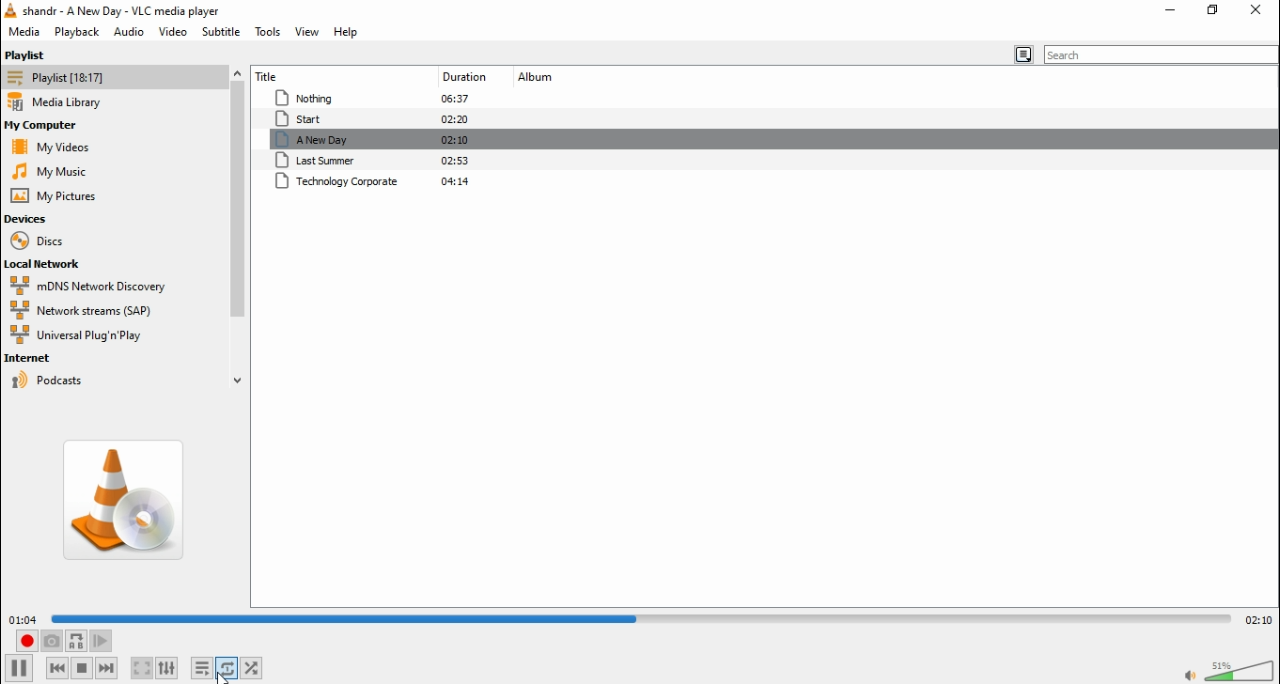 The image size is (1280, 684). Describe the element at coordinates (97, 286) in the screenshot. I see `mDNS network discovery` at that location.